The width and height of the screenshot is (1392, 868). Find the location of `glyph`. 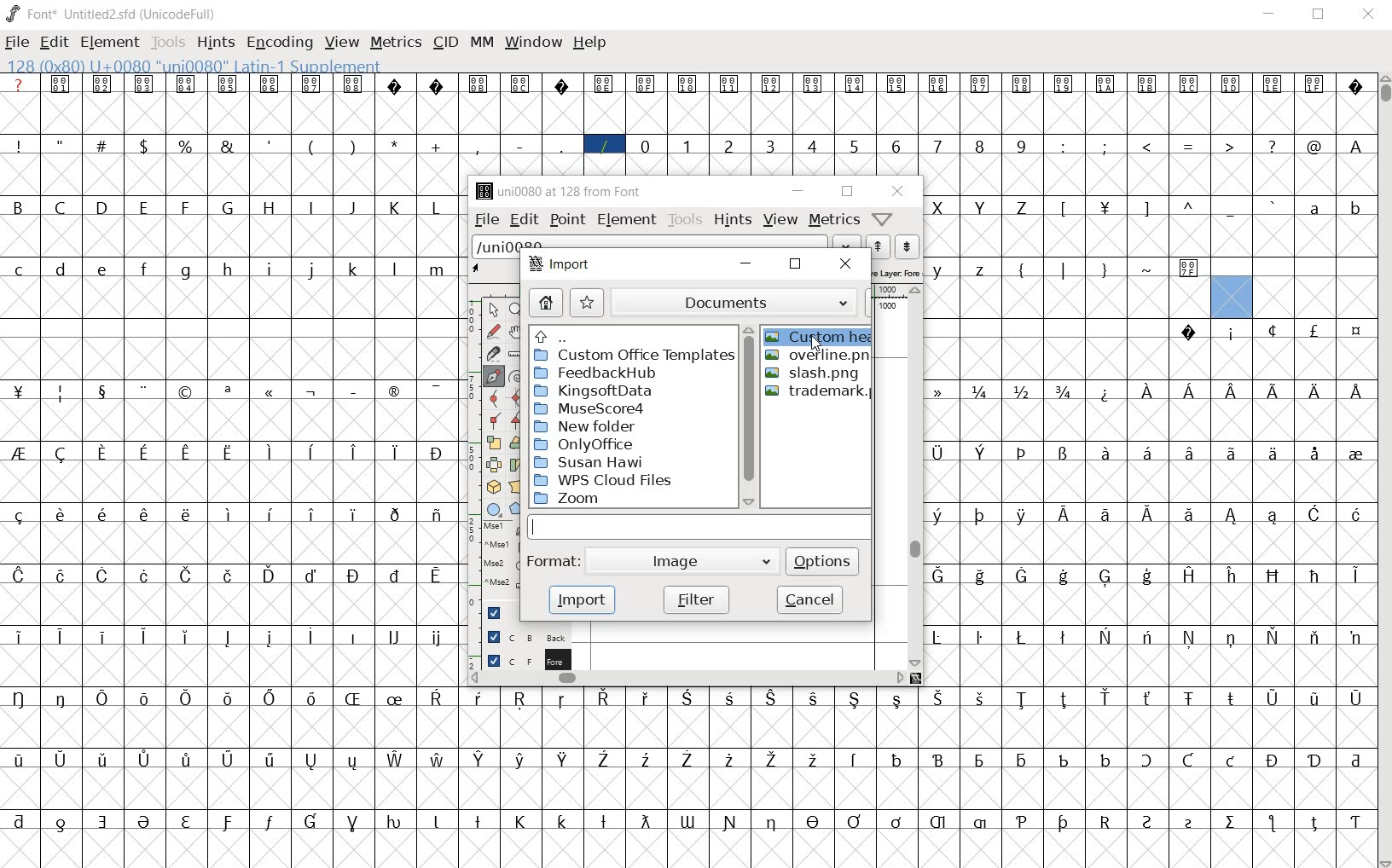

glyph is located at coordinates (1273, 391).